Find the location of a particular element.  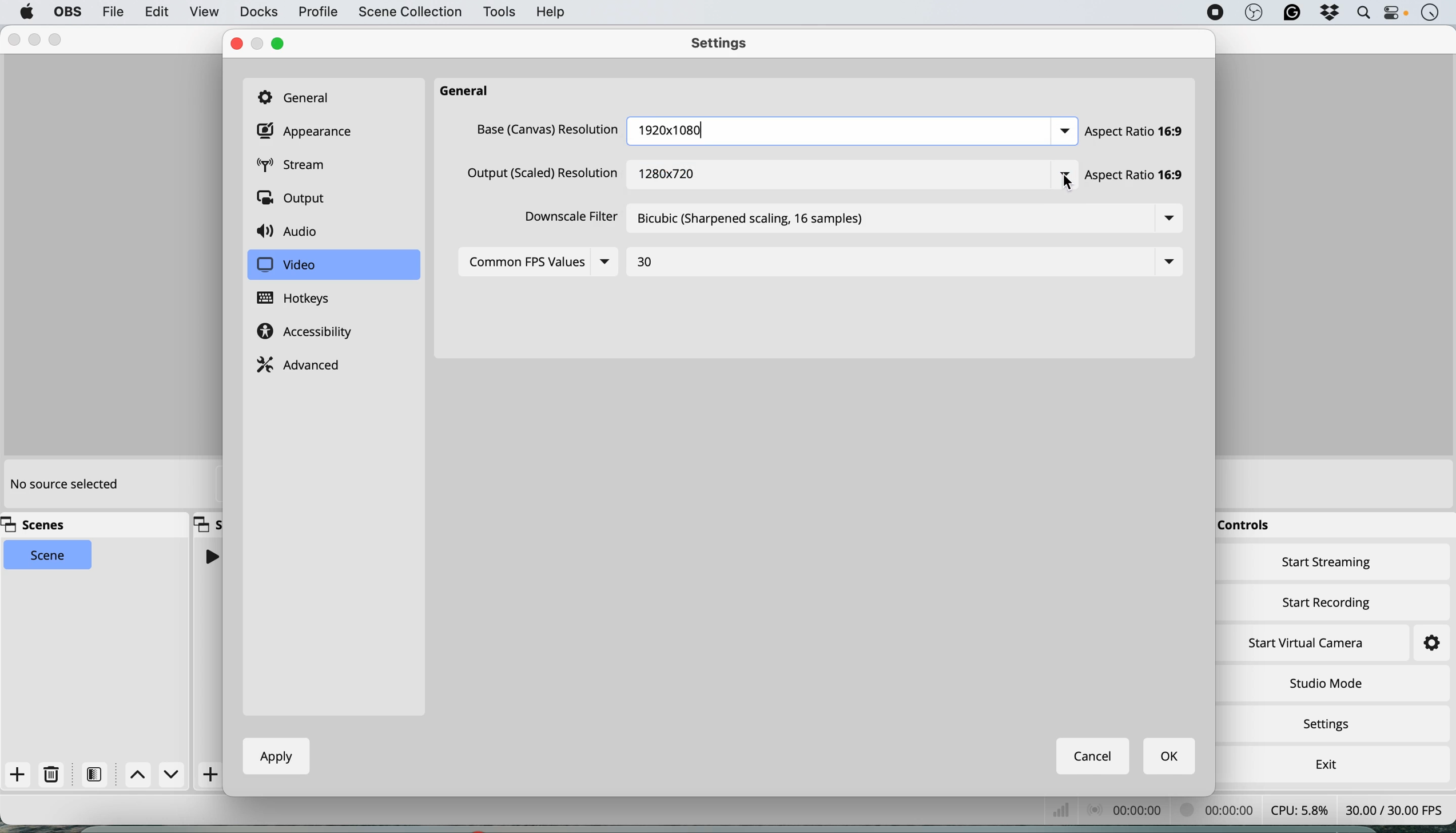

studio mode is located at coordinates (1325, 683).